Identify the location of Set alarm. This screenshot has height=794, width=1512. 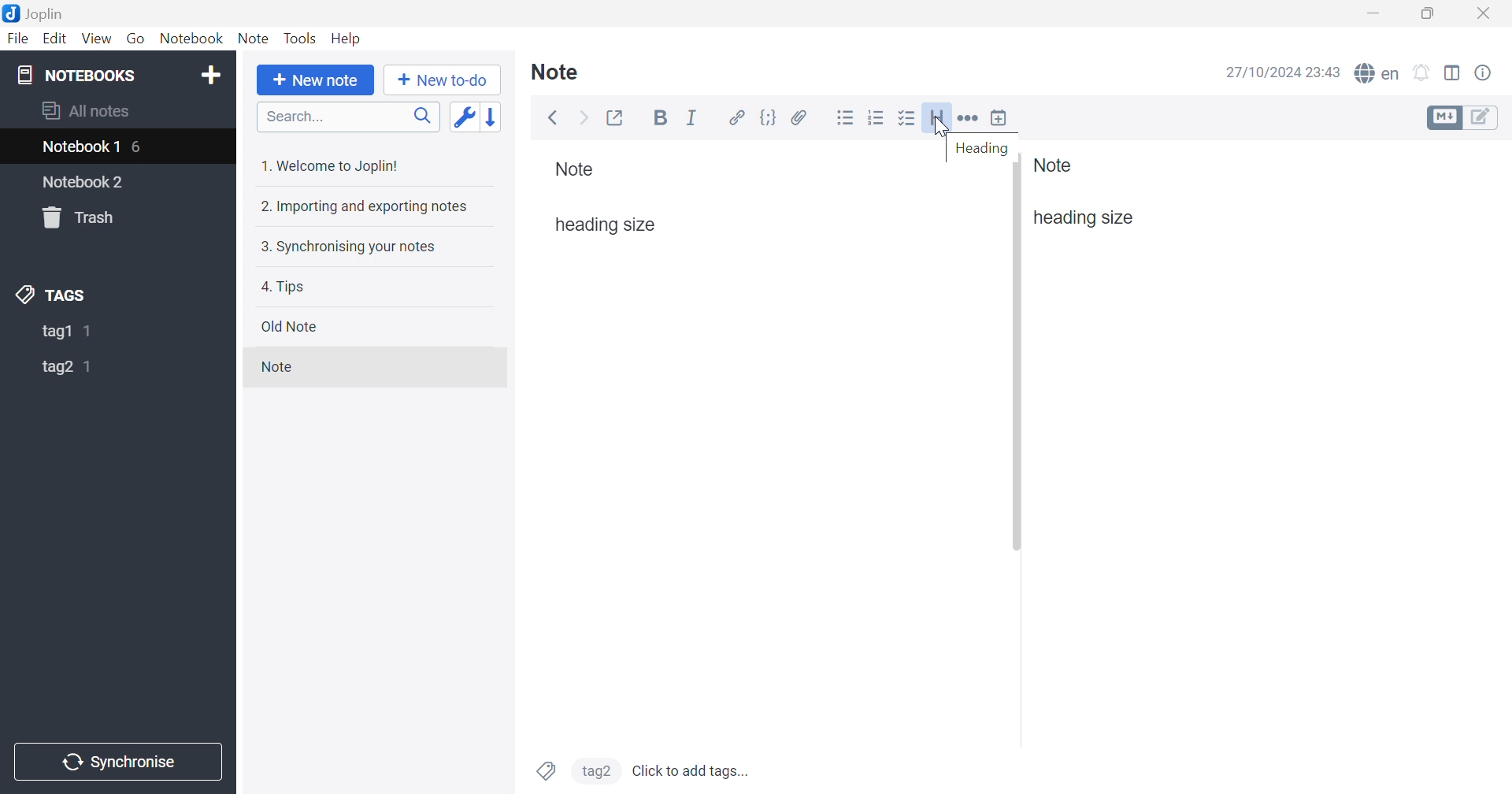
(1423, 72).